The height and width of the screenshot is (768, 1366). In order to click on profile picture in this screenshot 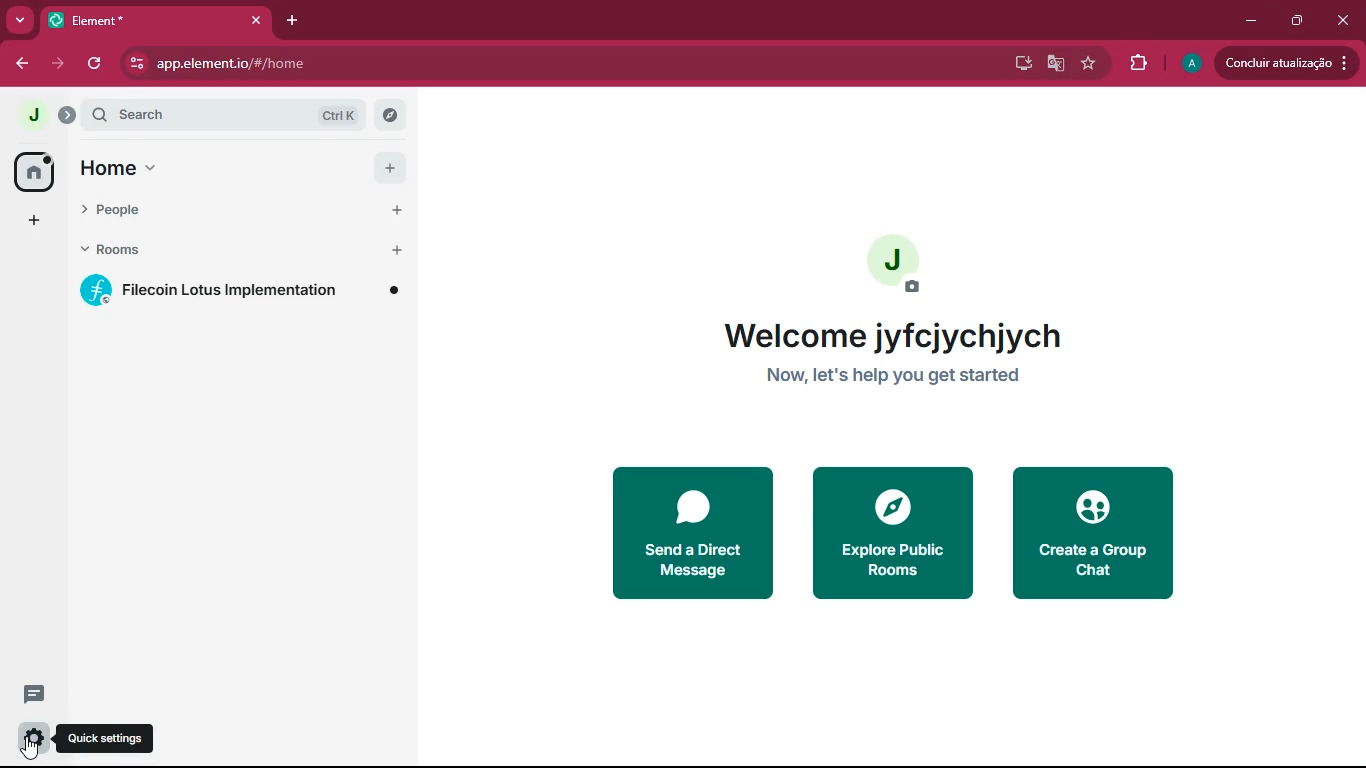, I will do `click(896, 262)`.